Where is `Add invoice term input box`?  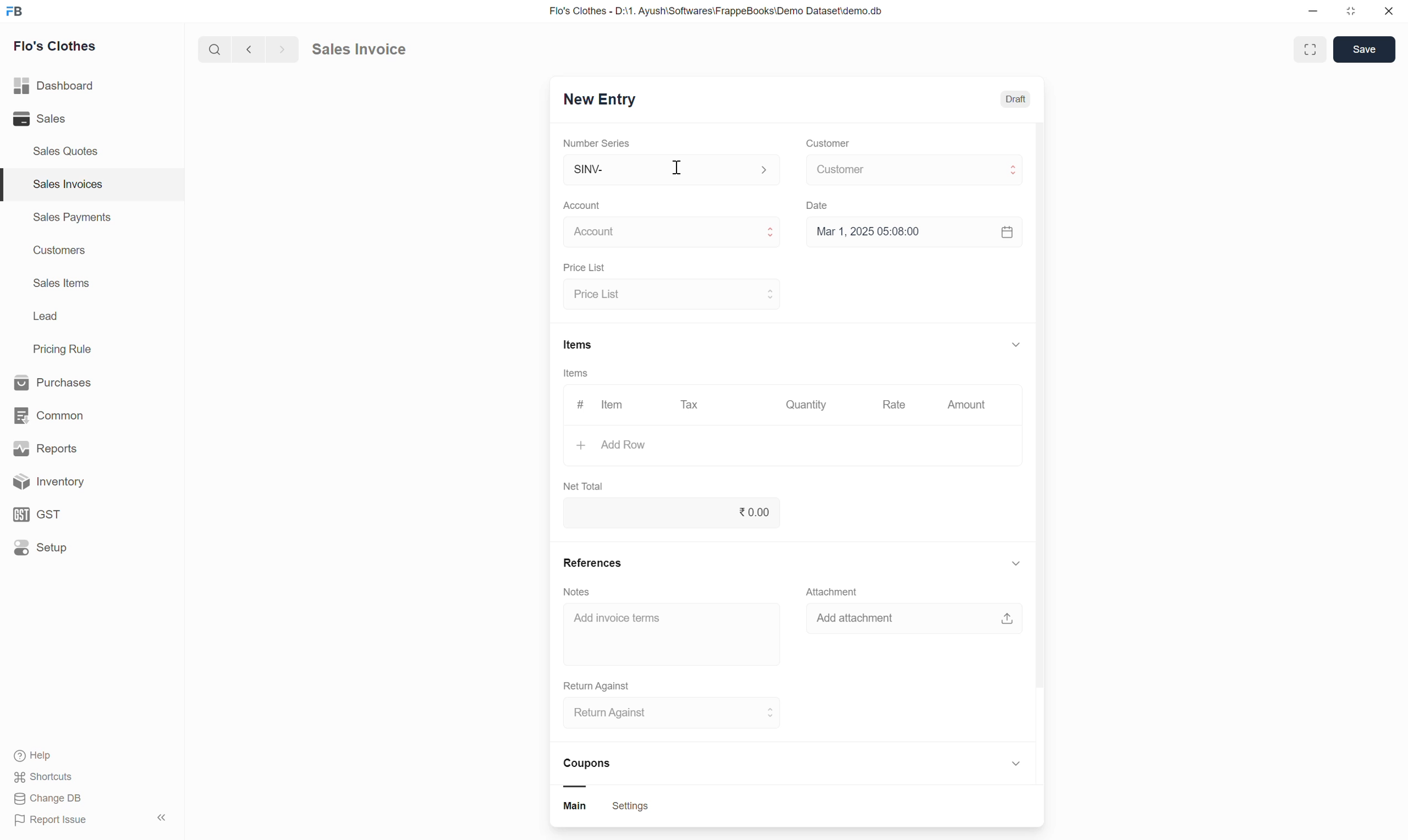 Add invoice term input box is located at coordinates (666, 625).